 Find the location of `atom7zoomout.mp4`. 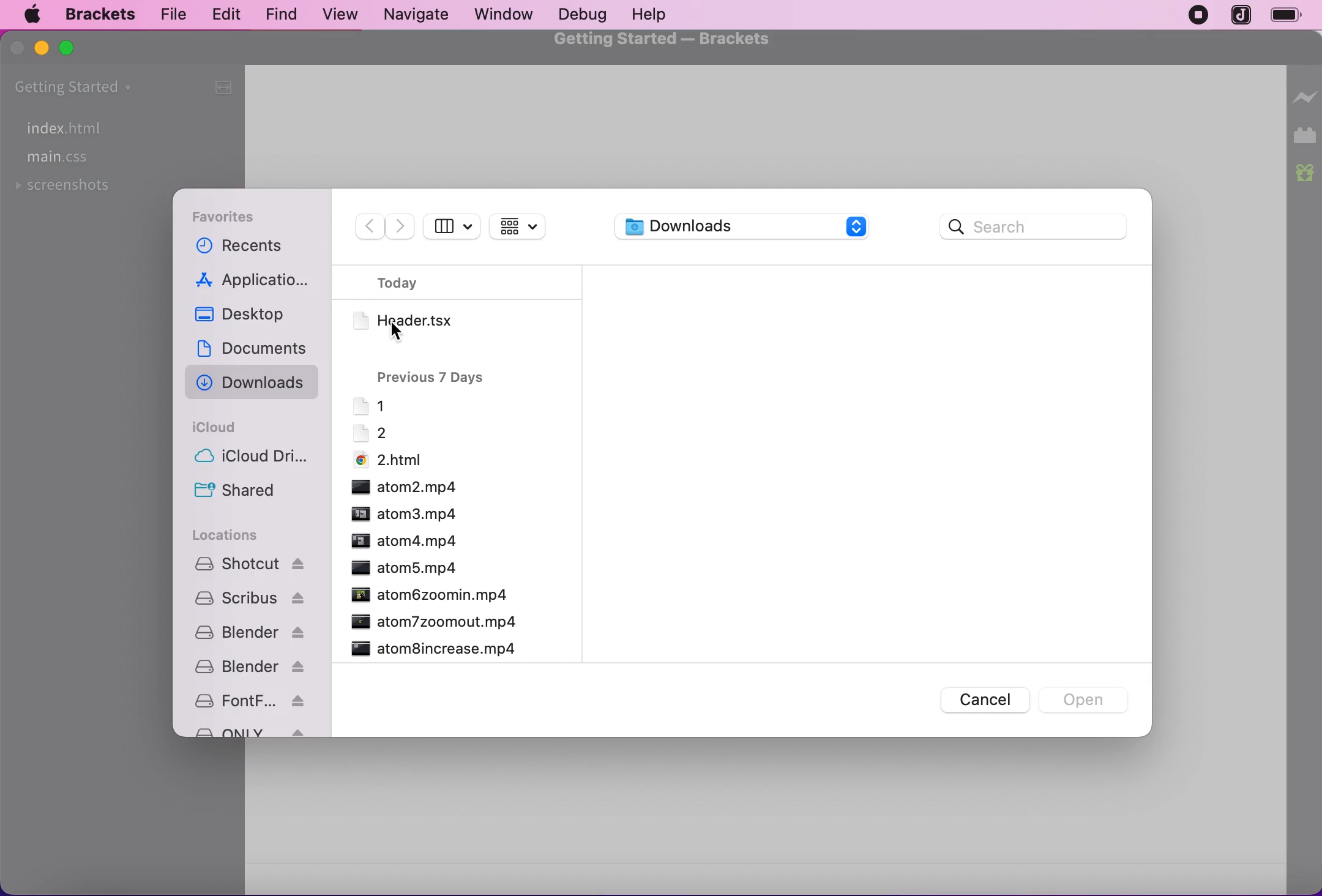

atom7zoomout.mp4 is located at coordinates (433, 621).